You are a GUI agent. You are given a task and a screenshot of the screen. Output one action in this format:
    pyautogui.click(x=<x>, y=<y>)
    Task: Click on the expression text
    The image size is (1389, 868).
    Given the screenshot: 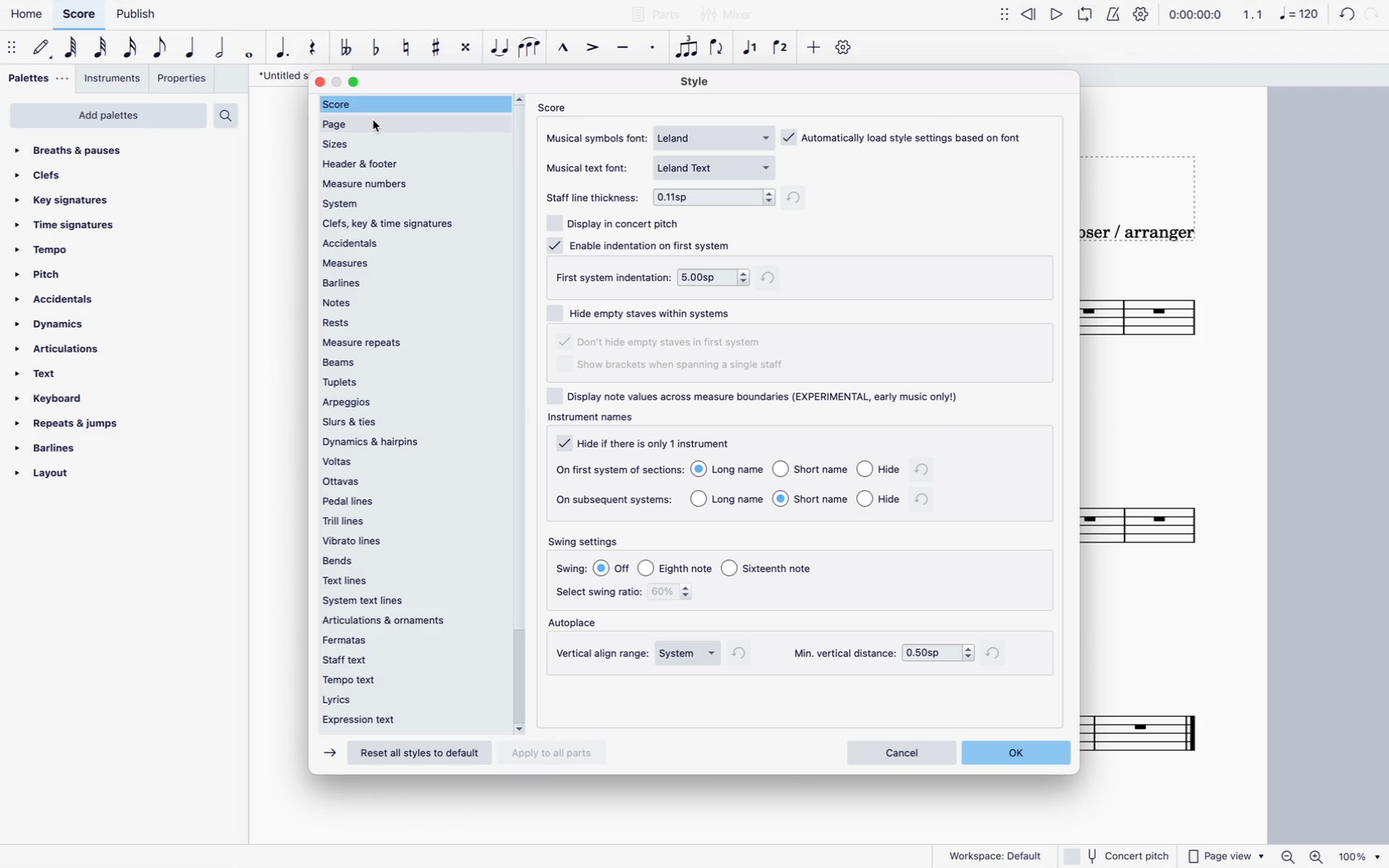 What is the action you would take?
    pyautogui.click(x=395, y=719)
    